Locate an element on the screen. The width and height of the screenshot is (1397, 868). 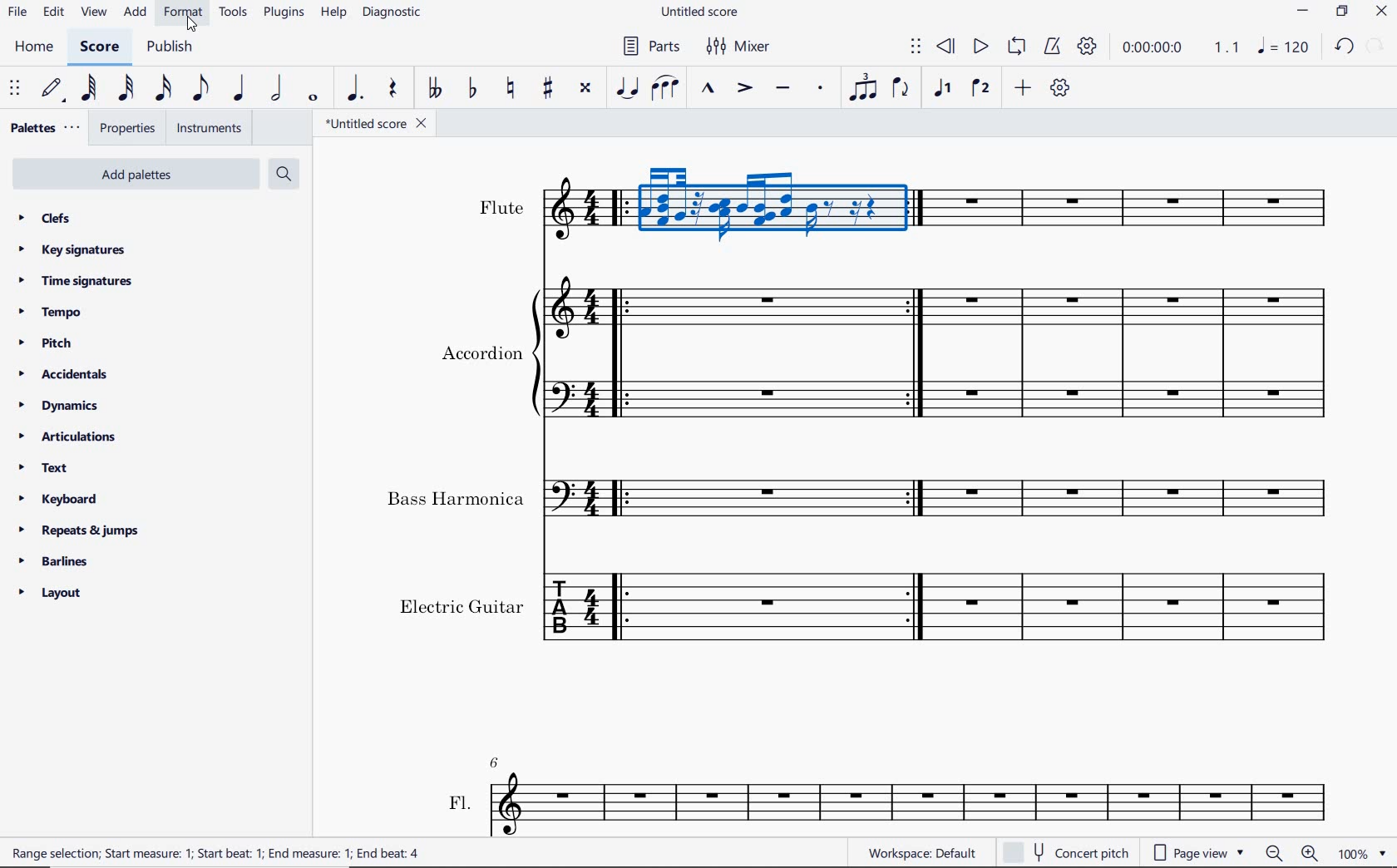
eighth note is located at coordinates (205, 89).